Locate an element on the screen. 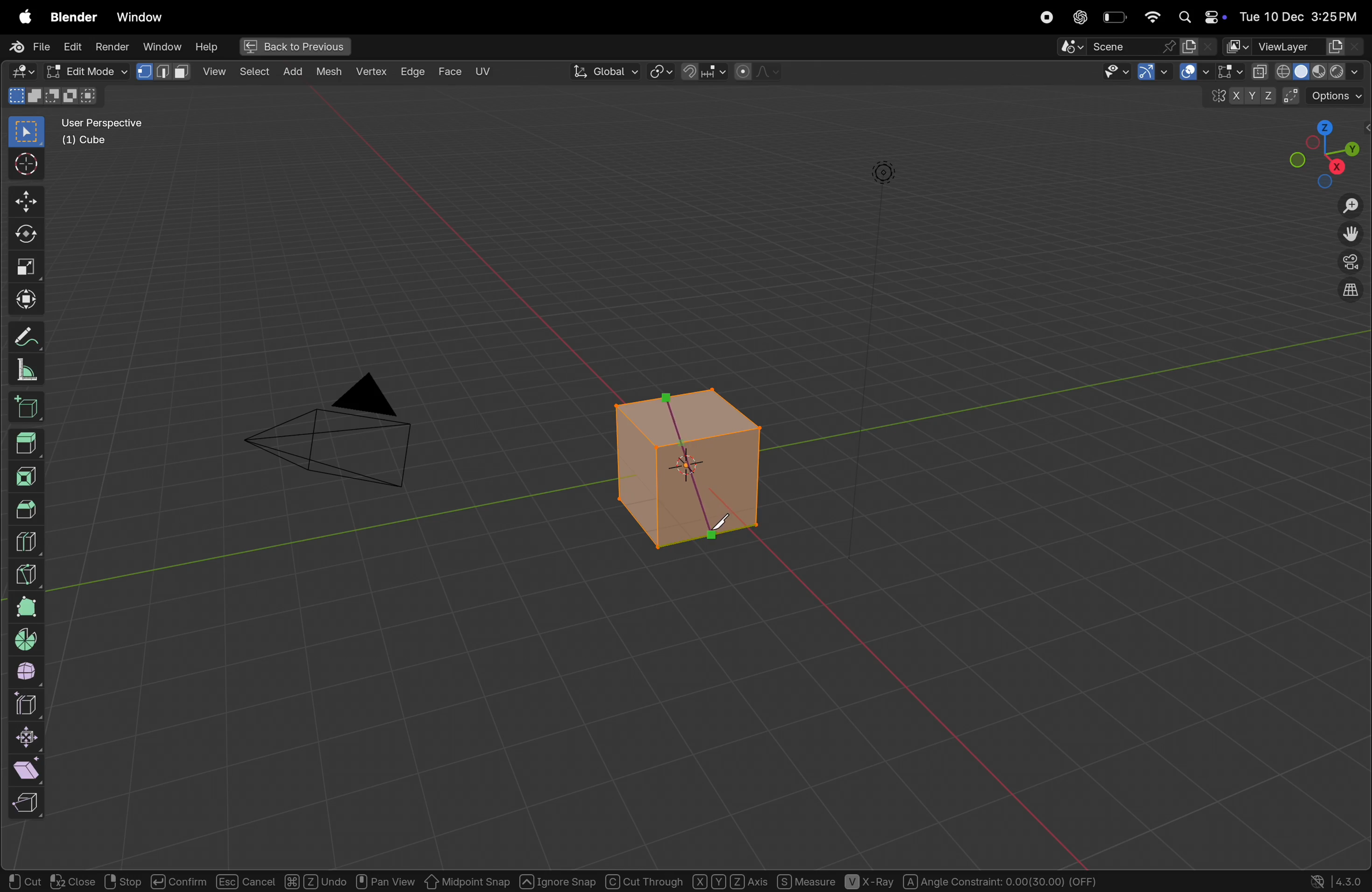 This screenshot has width=1372, height=892. vertex is located at coordinates (372, 73).